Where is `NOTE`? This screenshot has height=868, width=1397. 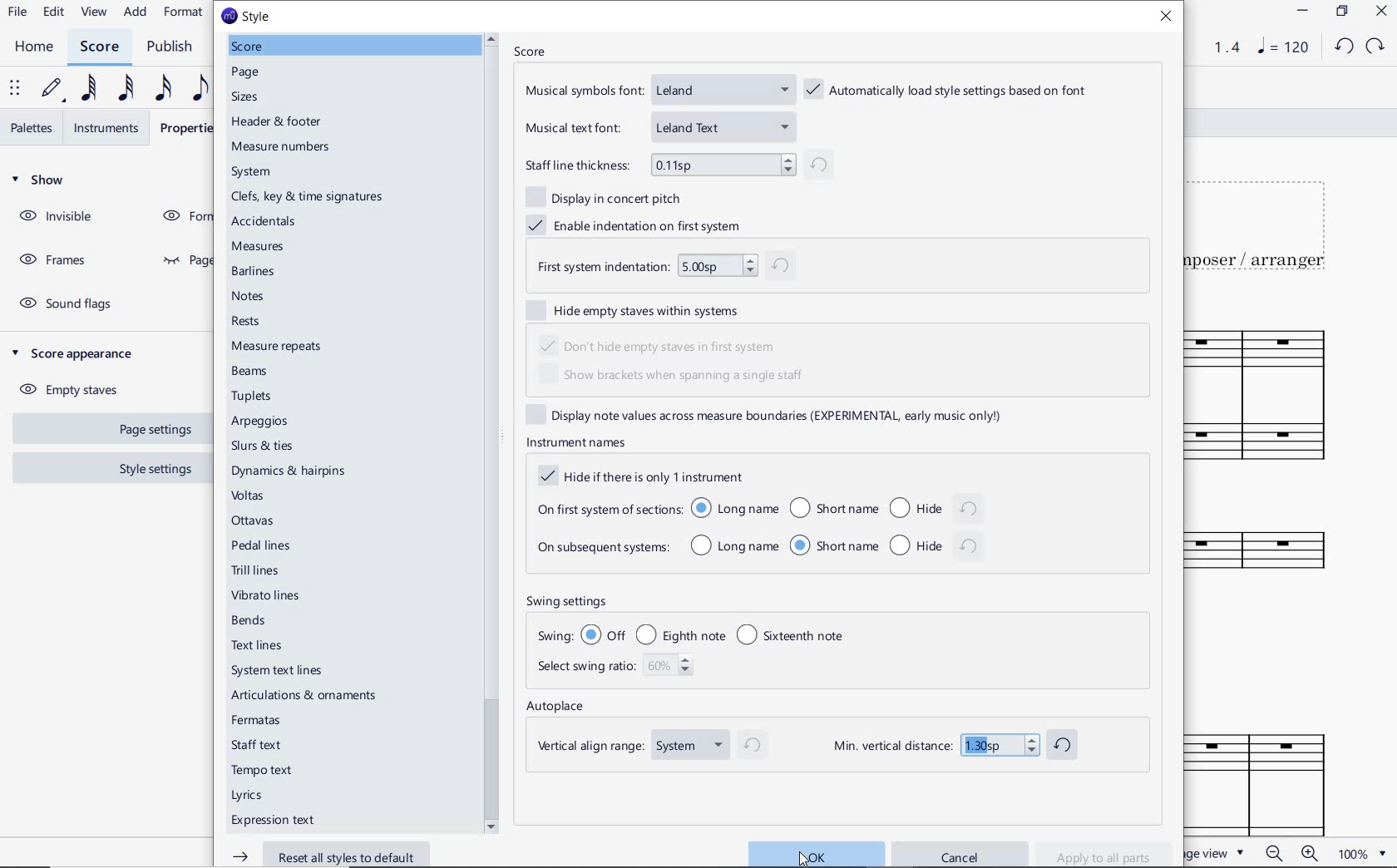
NOTE is located at coordinates (1282, 47).